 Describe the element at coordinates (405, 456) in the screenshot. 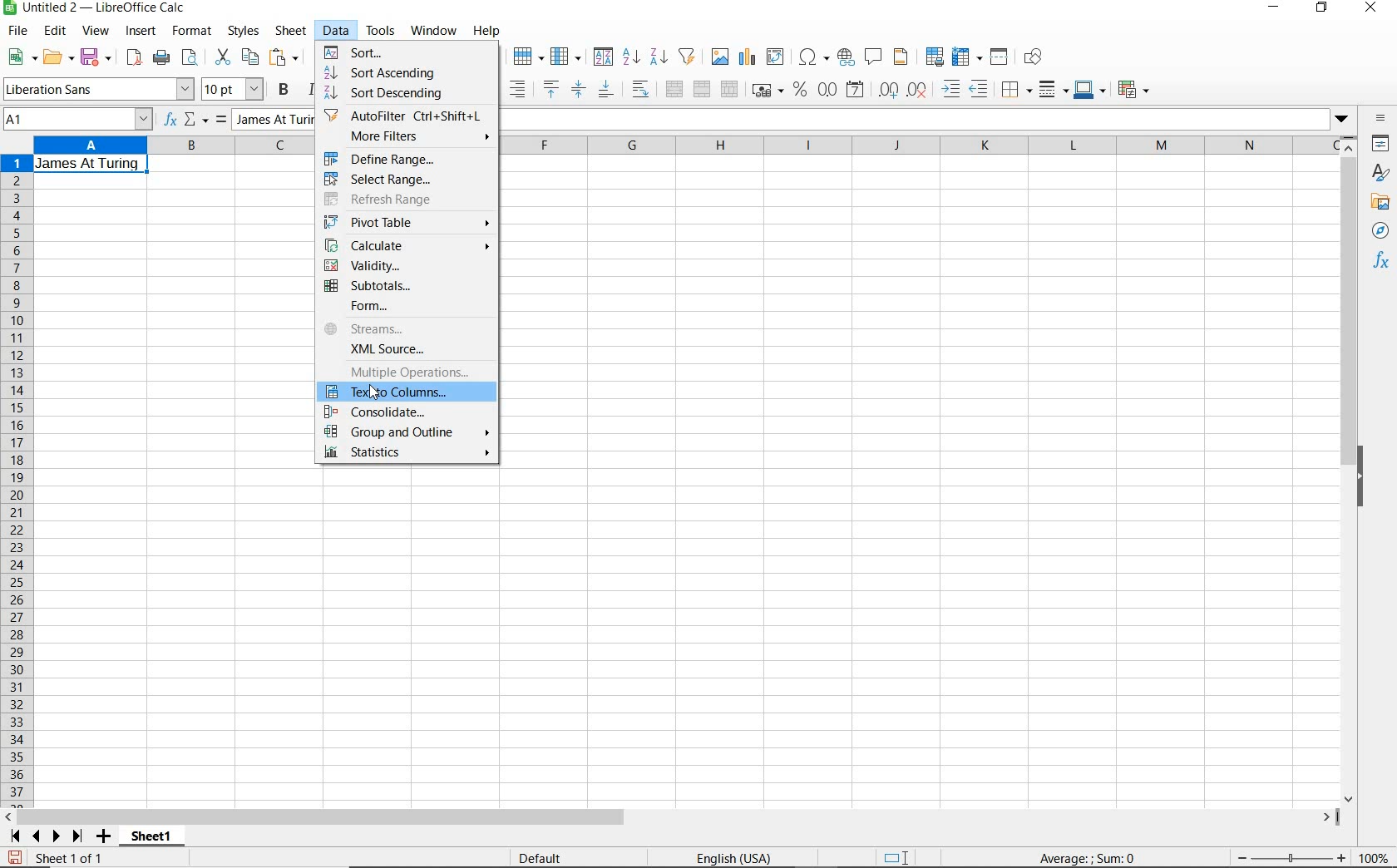

I see `statistics` at that location.